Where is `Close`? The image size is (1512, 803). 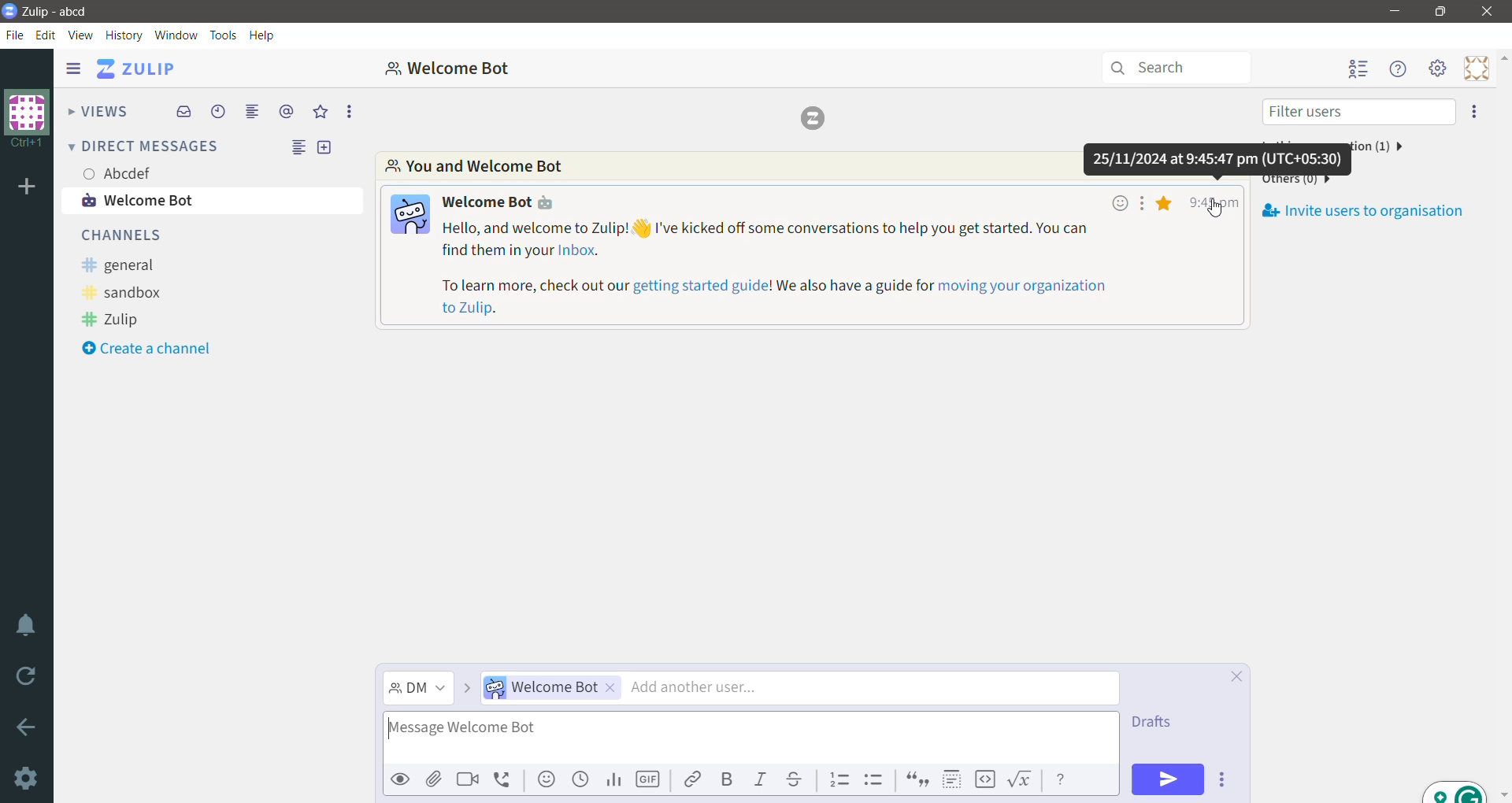
Close is located at coordinates (1487, 11).